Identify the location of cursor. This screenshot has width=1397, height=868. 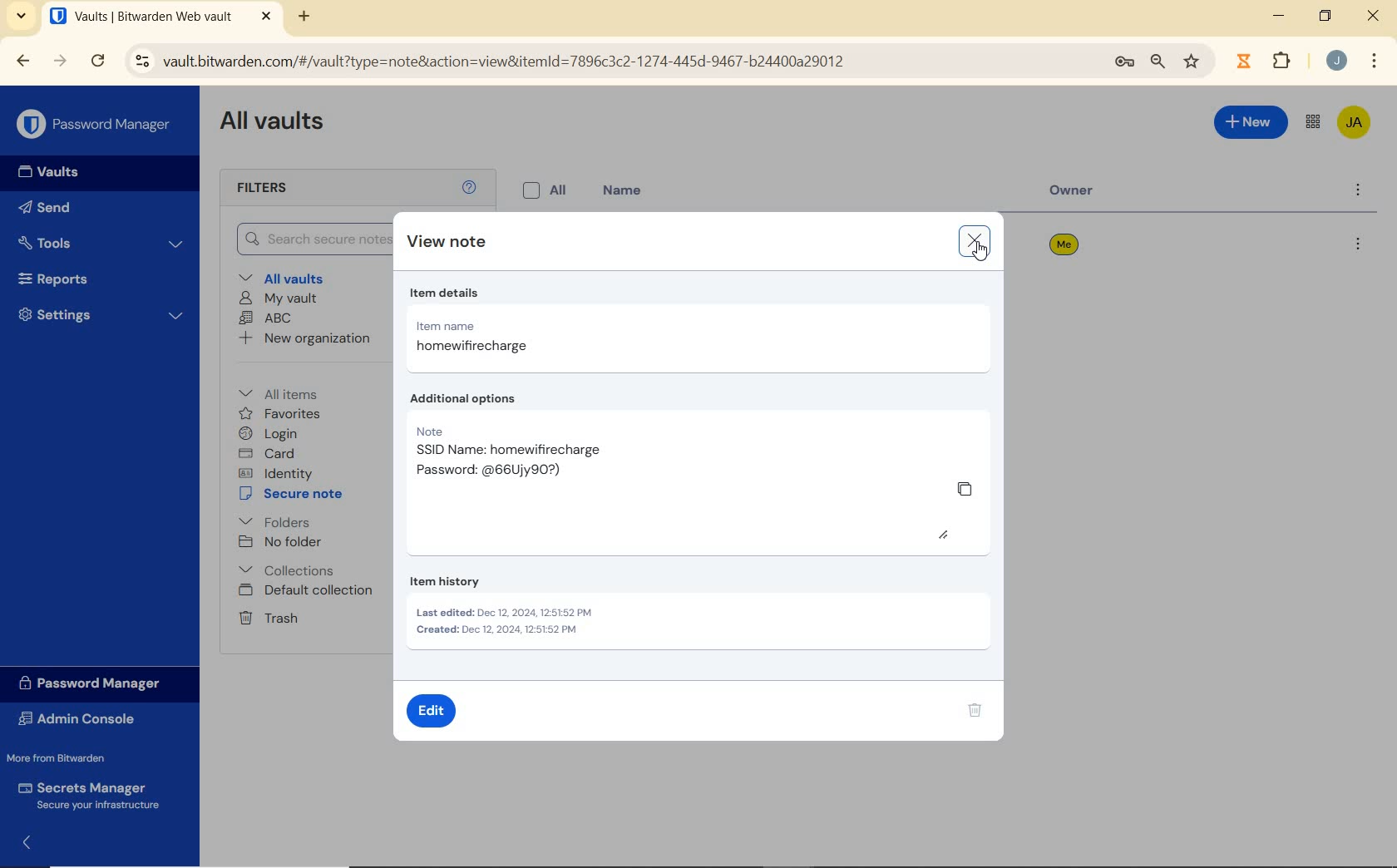
(980, 253).